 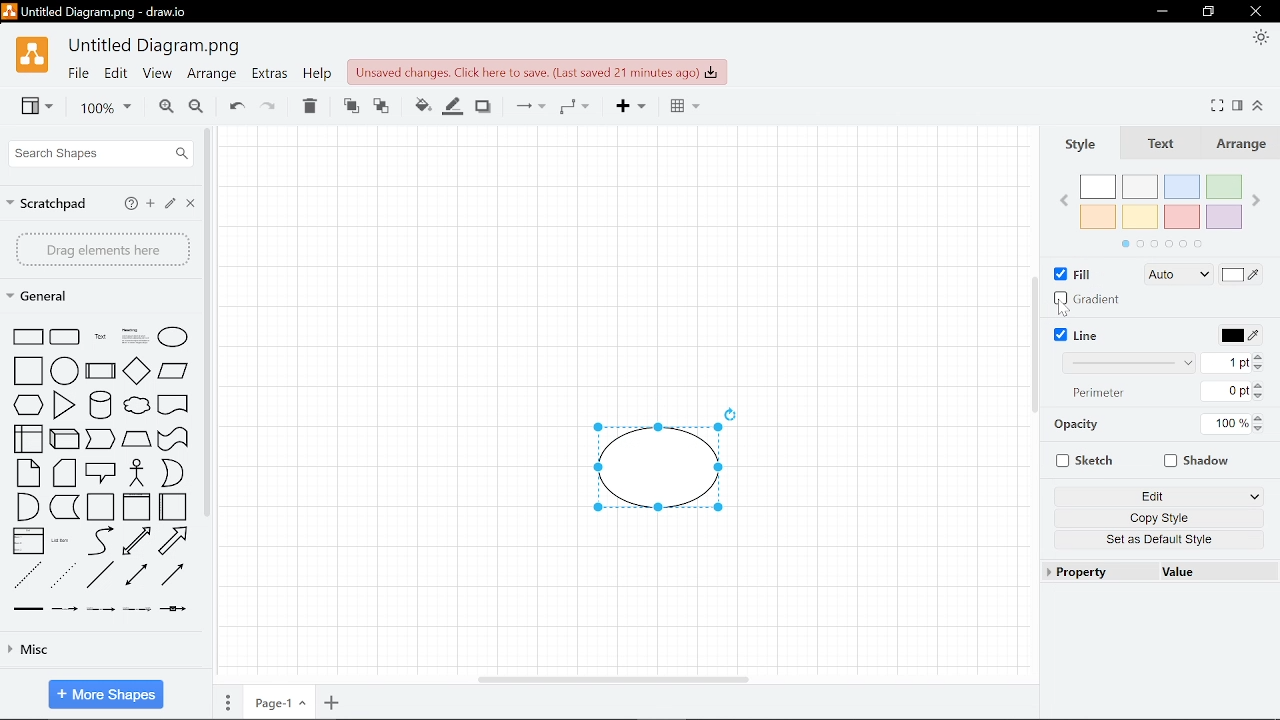 I want to click on Line color, so click(x=452, y=105).